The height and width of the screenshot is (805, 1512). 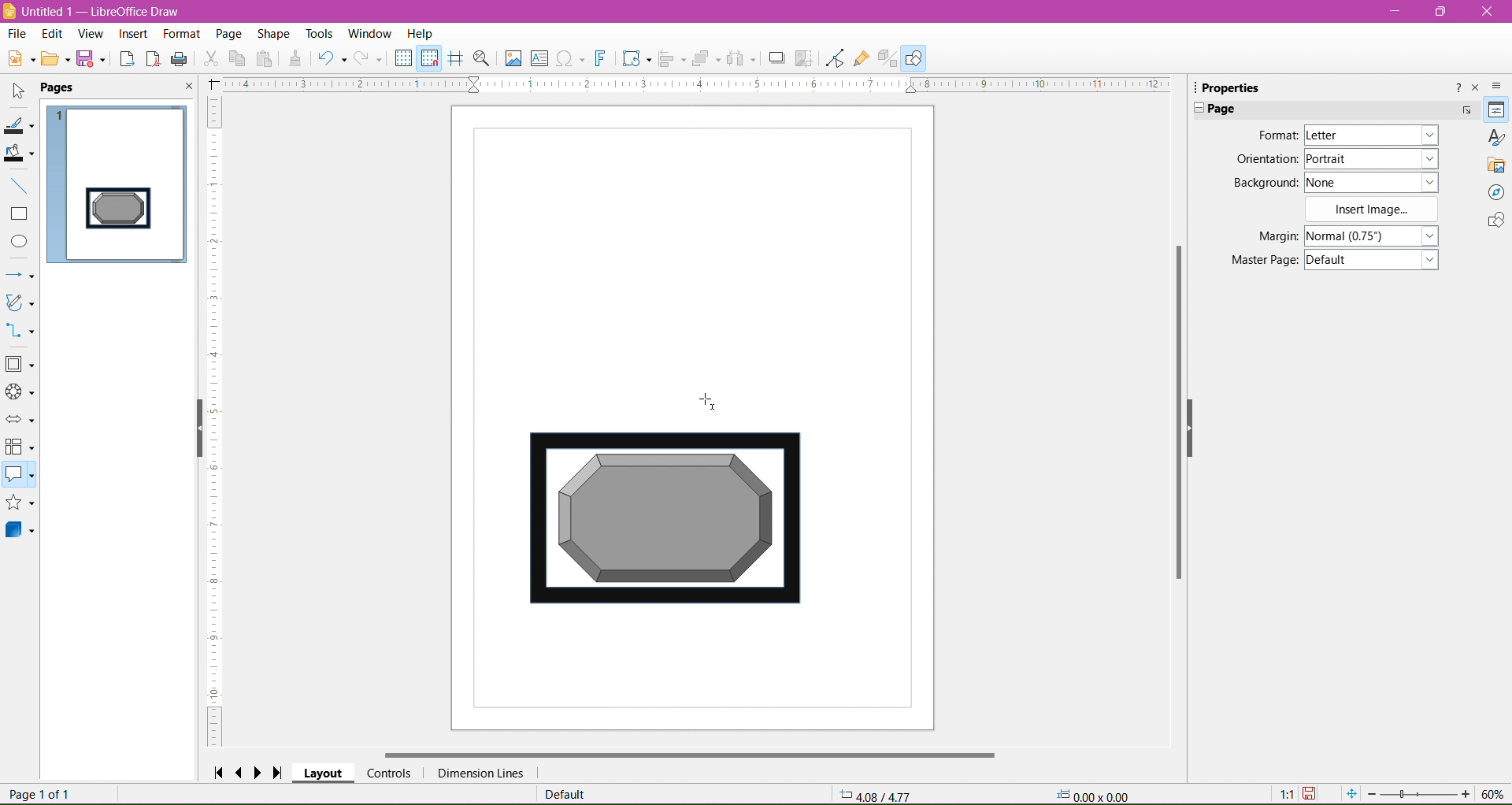 I want to click on Scroll to last page, so click(x=283, y=770).